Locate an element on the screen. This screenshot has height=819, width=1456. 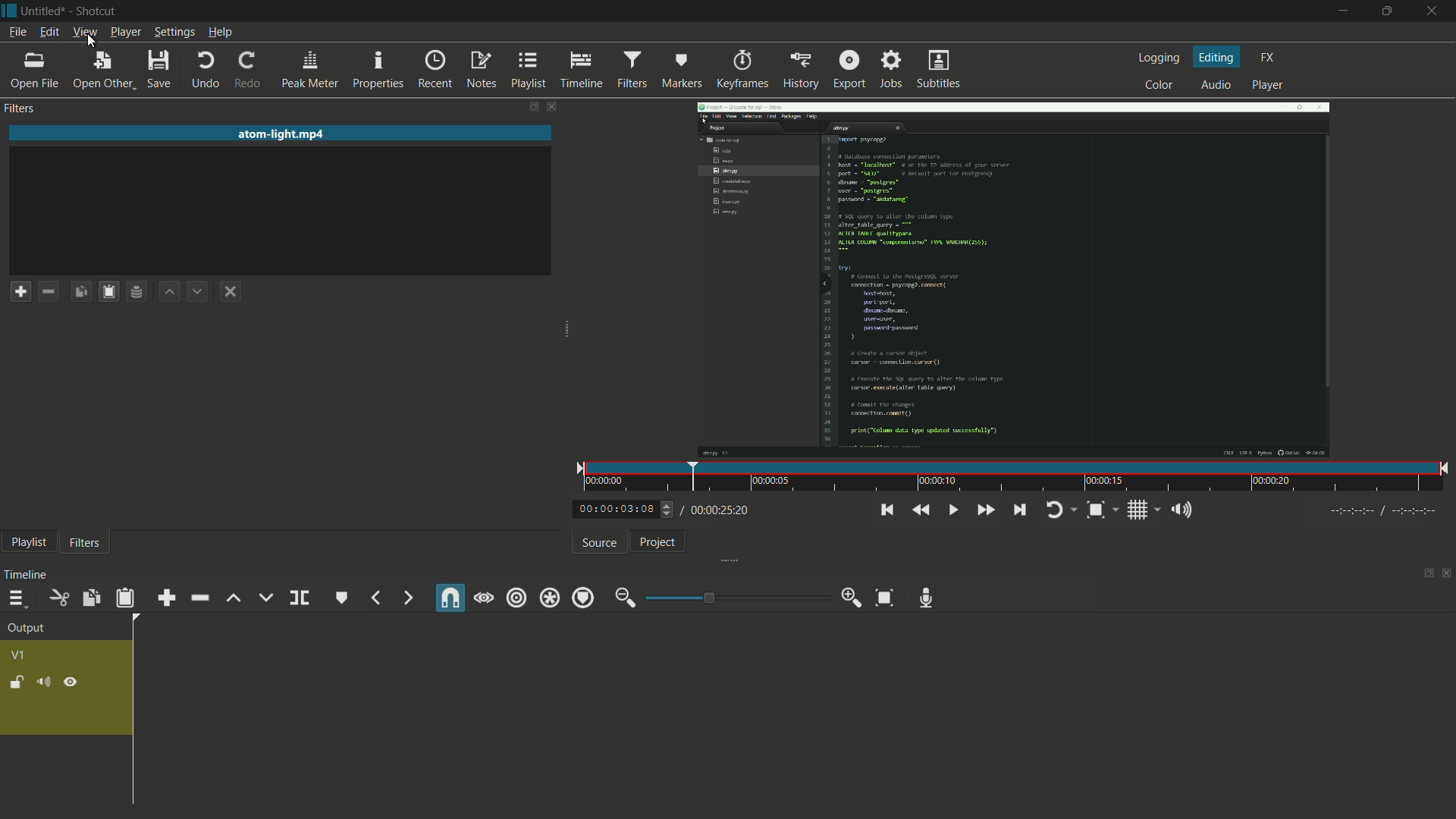
quickly play backward is located at coordinates (922, 510).